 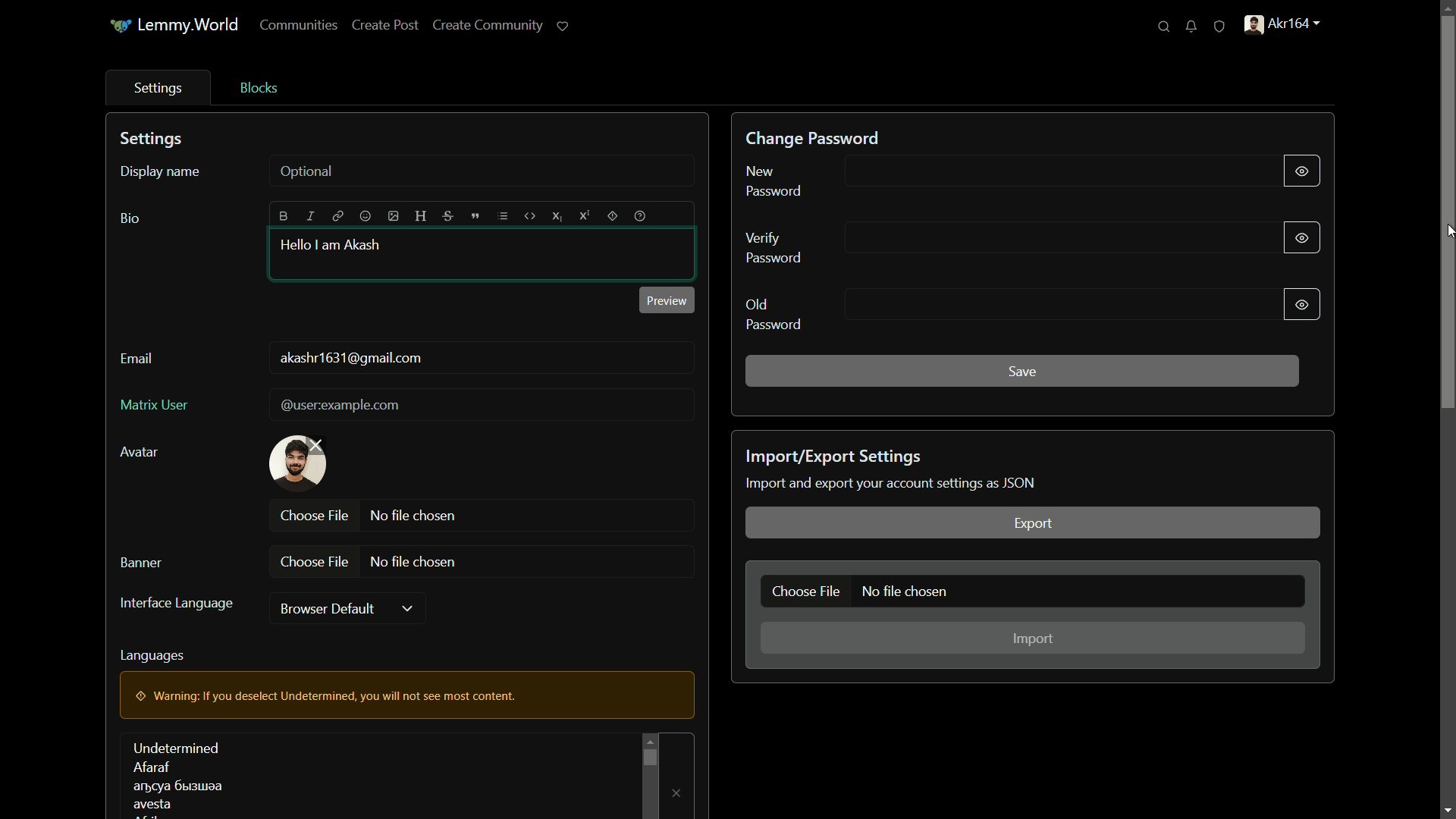 What do you see at coordinates (804, 591) in the screenshot?
I see `choose file` at bounding box center [804, 591].